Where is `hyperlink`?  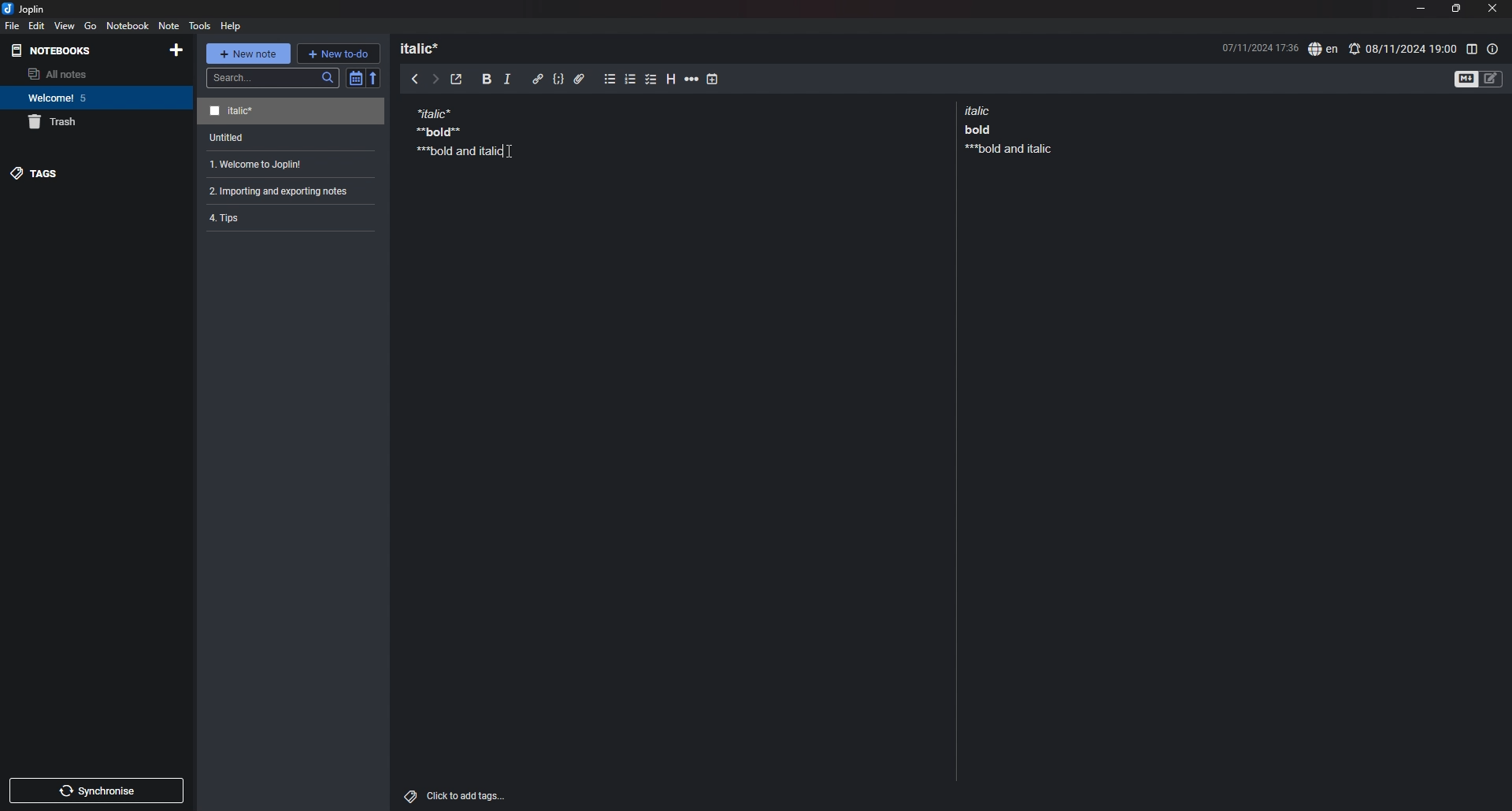
hyperlink is located at coordinates (538, 79).